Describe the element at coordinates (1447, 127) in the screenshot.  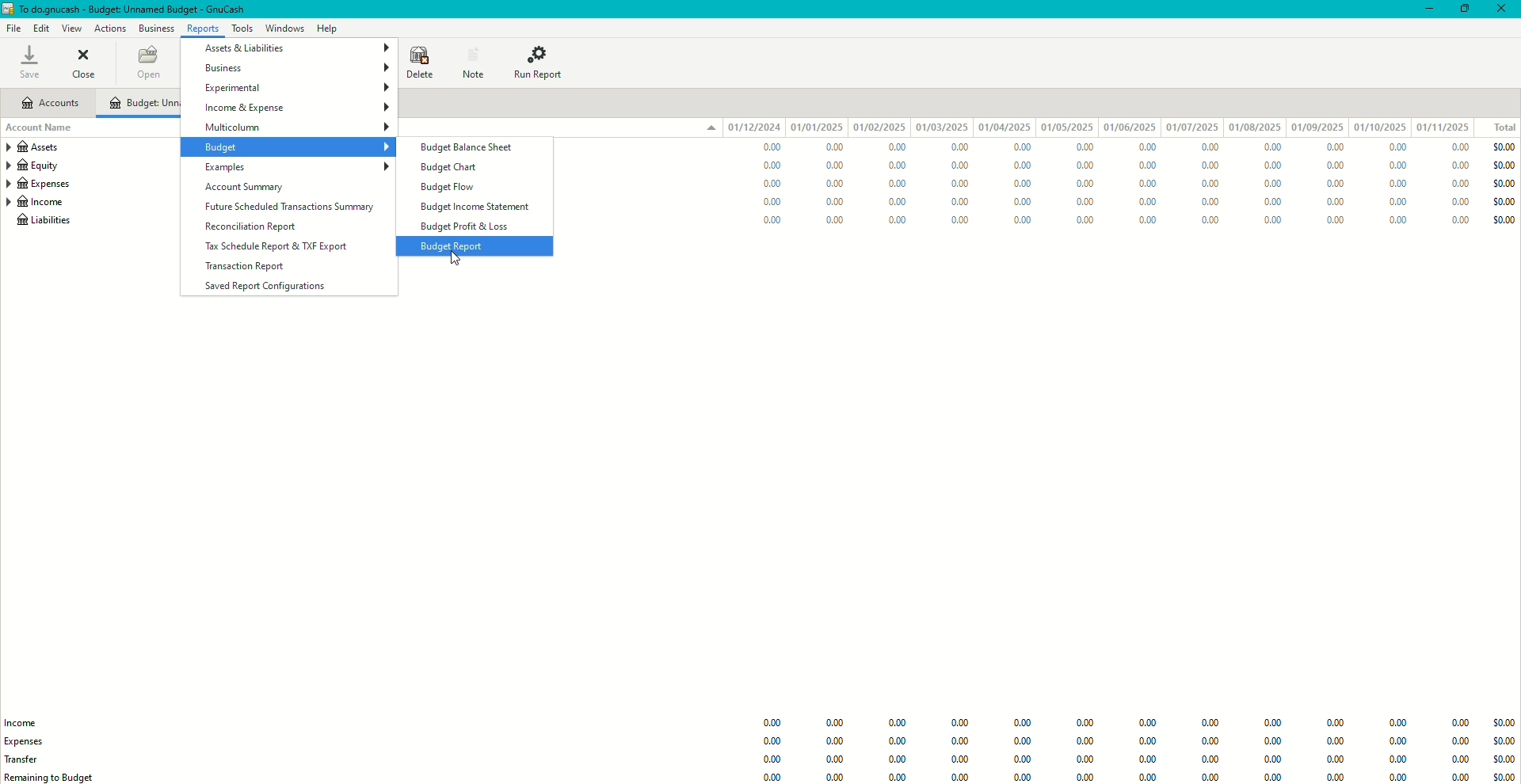
I see `01/11/2025` at that location.